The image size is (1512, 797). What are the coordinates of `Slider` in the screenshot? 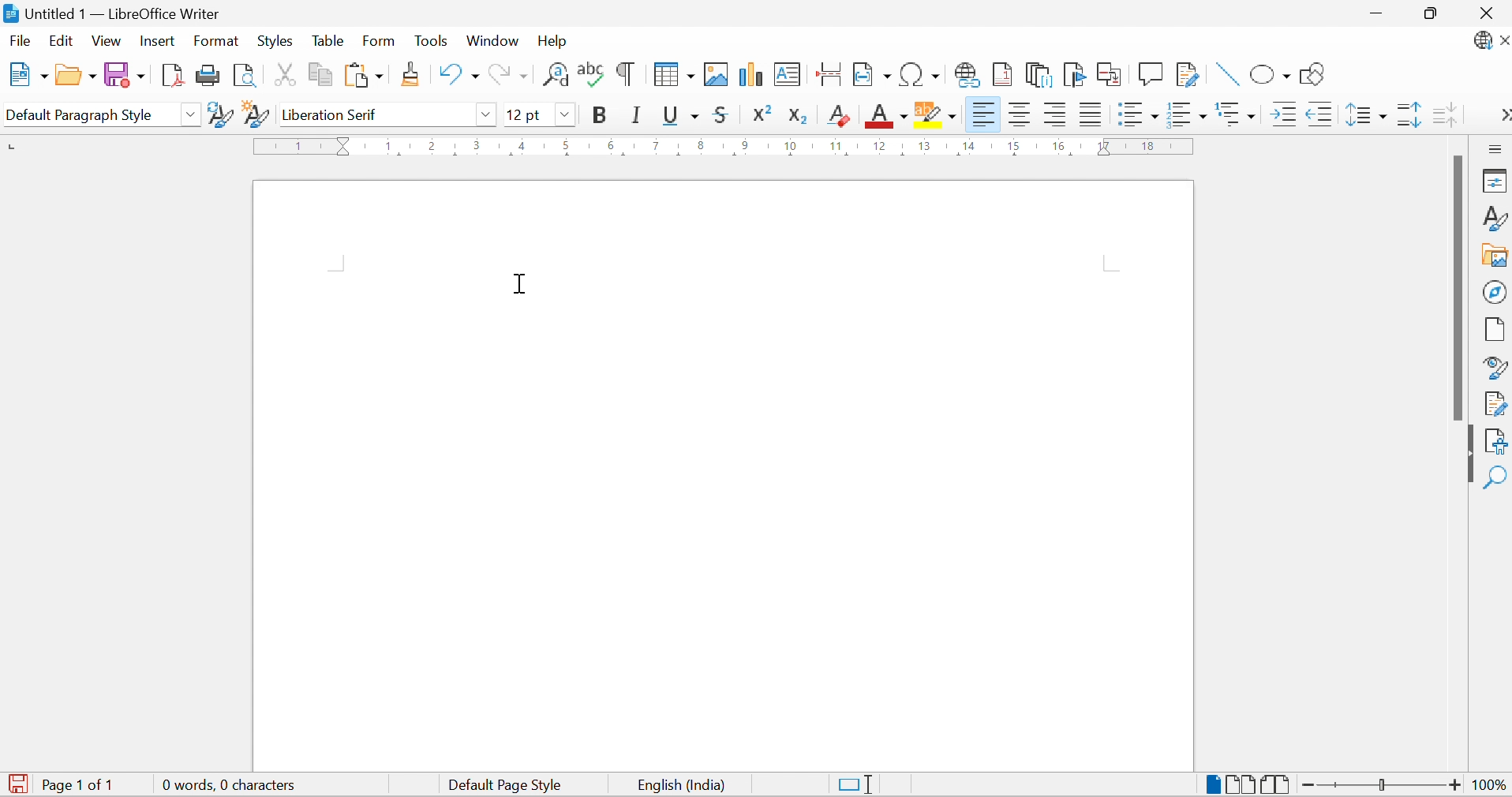 It's located at (1379, 782).